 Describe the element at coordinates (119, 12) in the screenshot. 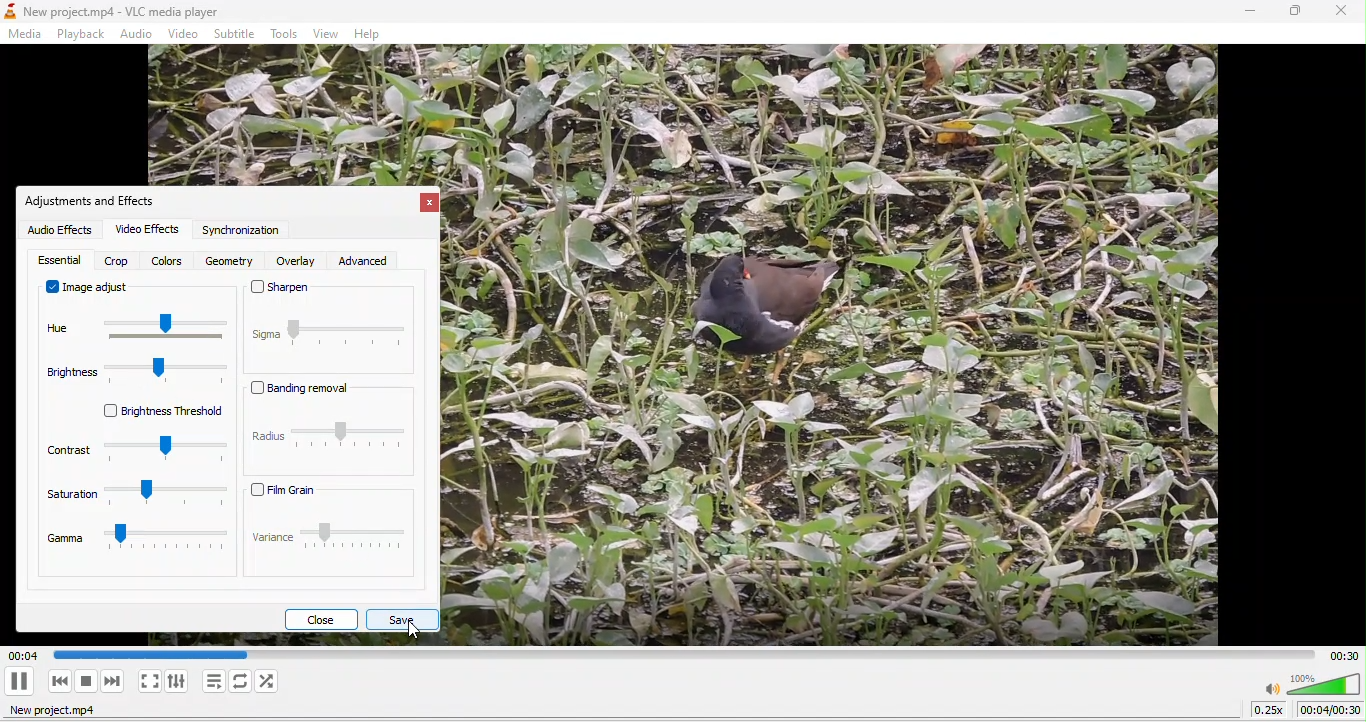

I see `title` at that location.